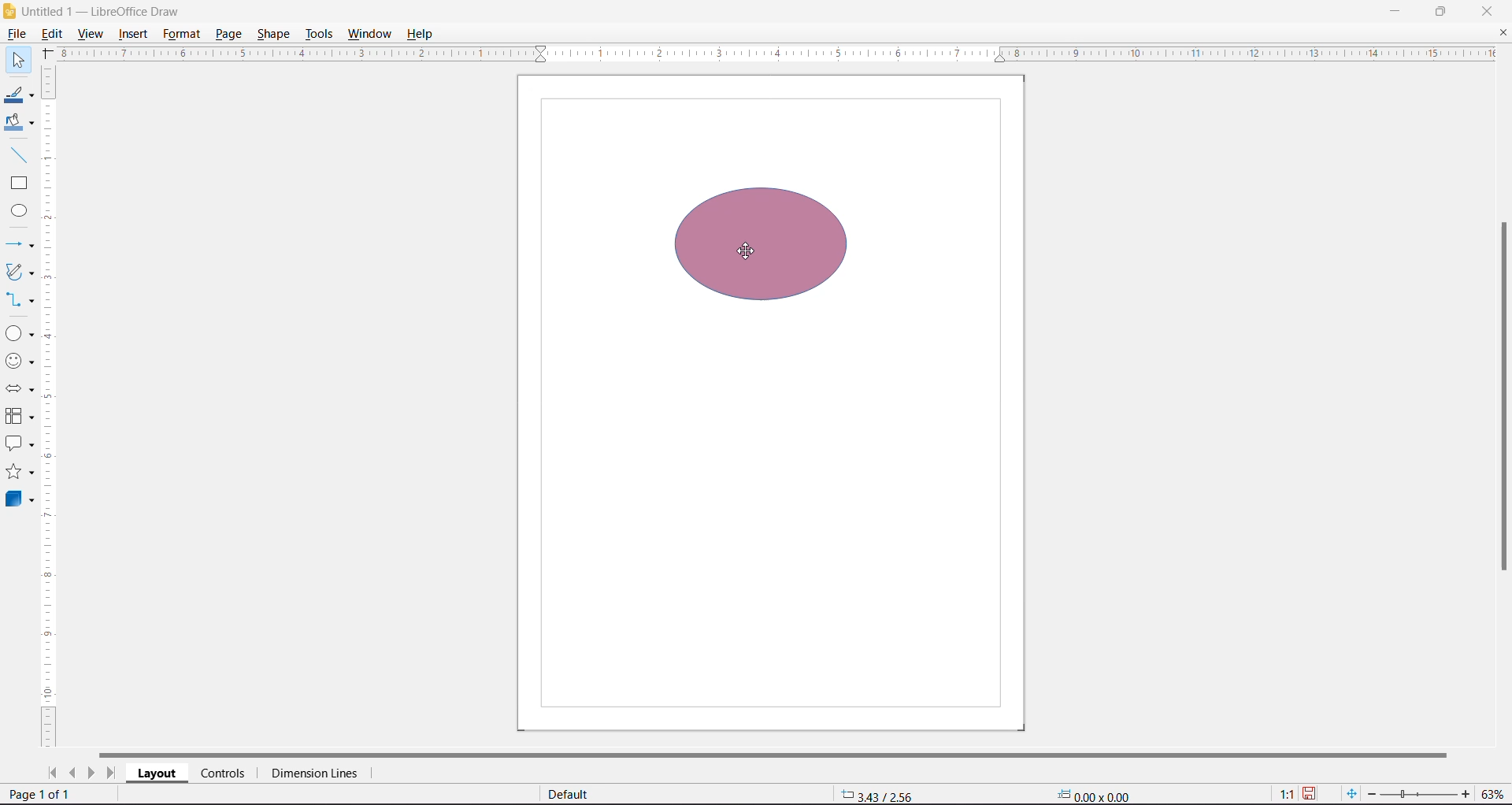 This screenshot has height=805, width=1512. I want to click on File, so click(15, 33).